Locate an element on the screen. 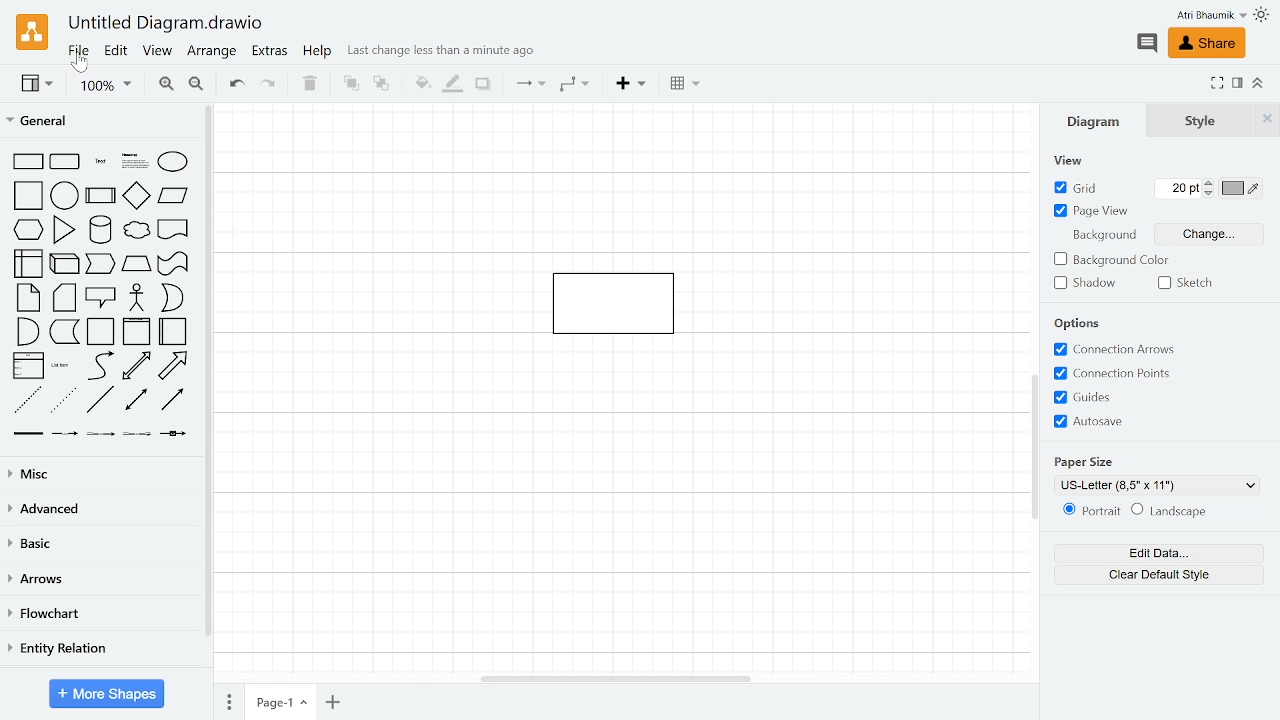 Image resolution: width=1280 pixels, height=720 pixels. Fill color is located at coordinates (420, 83).